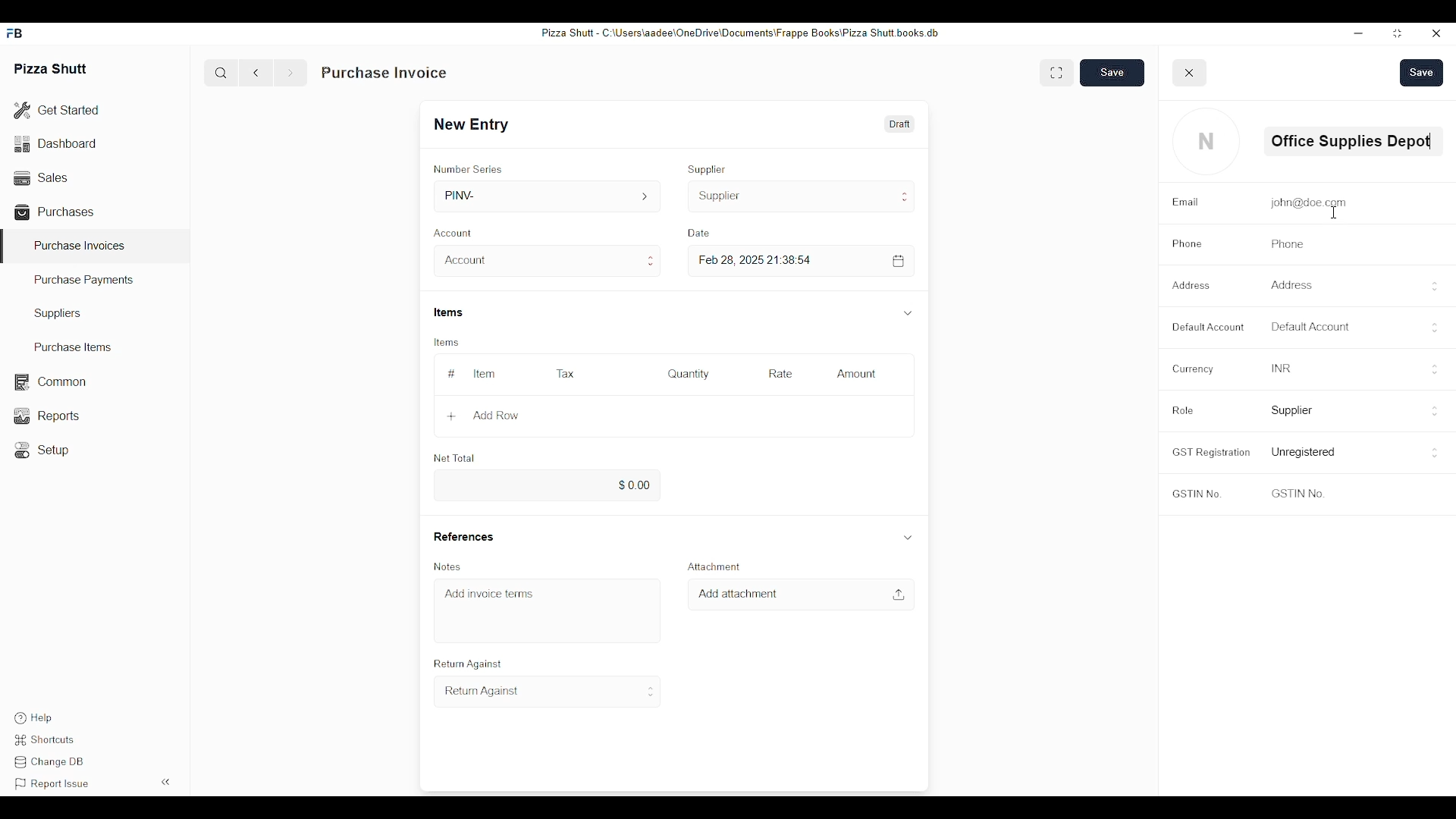 The height and width of the screenshot is (819, 1456). Describe the element at coordinates (1436, 413) in the screenshot. I see `buttons` at that location.